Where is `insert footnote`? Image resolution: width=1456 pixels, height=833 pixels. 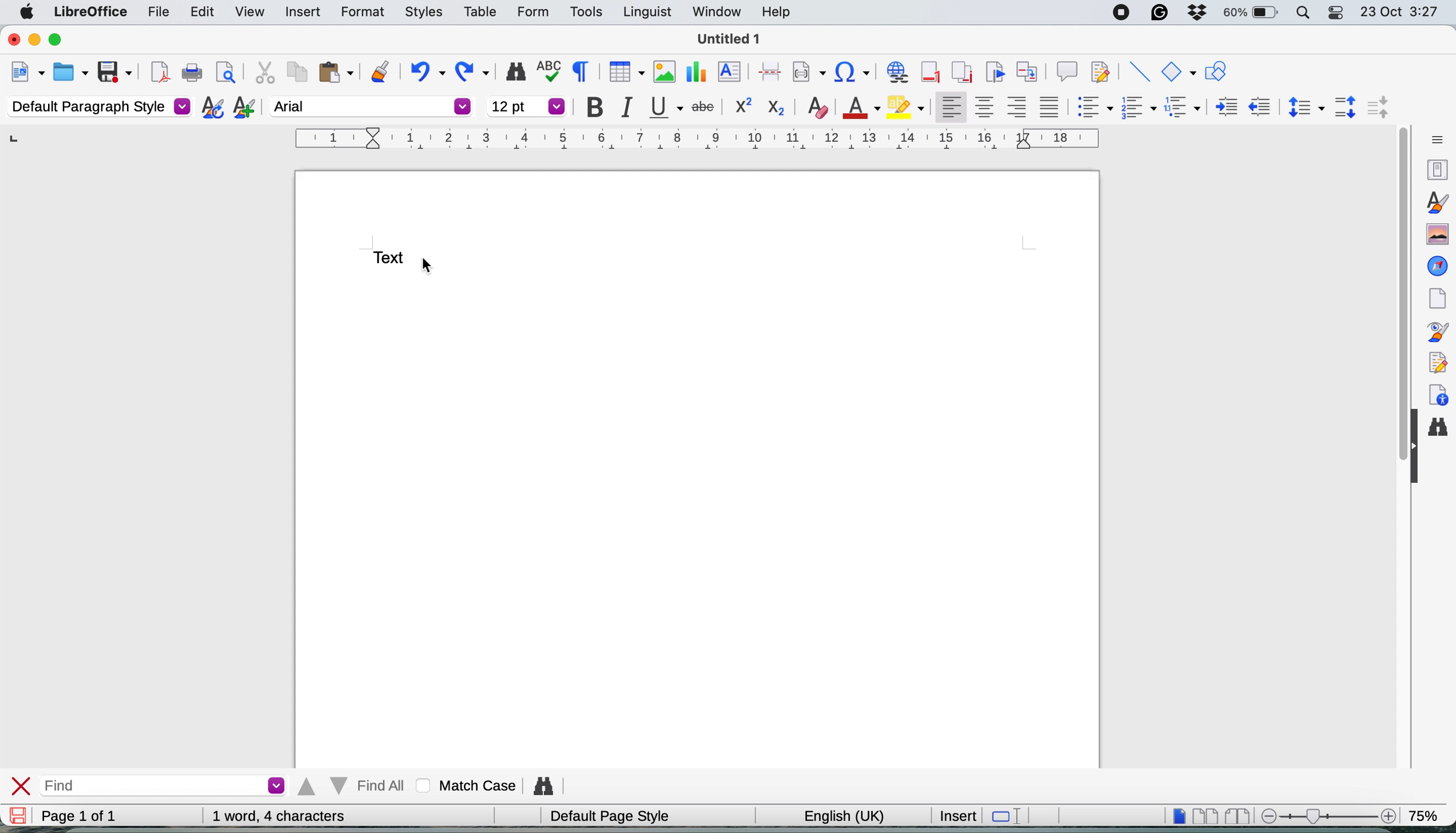
insert footnote is located at coordinates (929, 72).